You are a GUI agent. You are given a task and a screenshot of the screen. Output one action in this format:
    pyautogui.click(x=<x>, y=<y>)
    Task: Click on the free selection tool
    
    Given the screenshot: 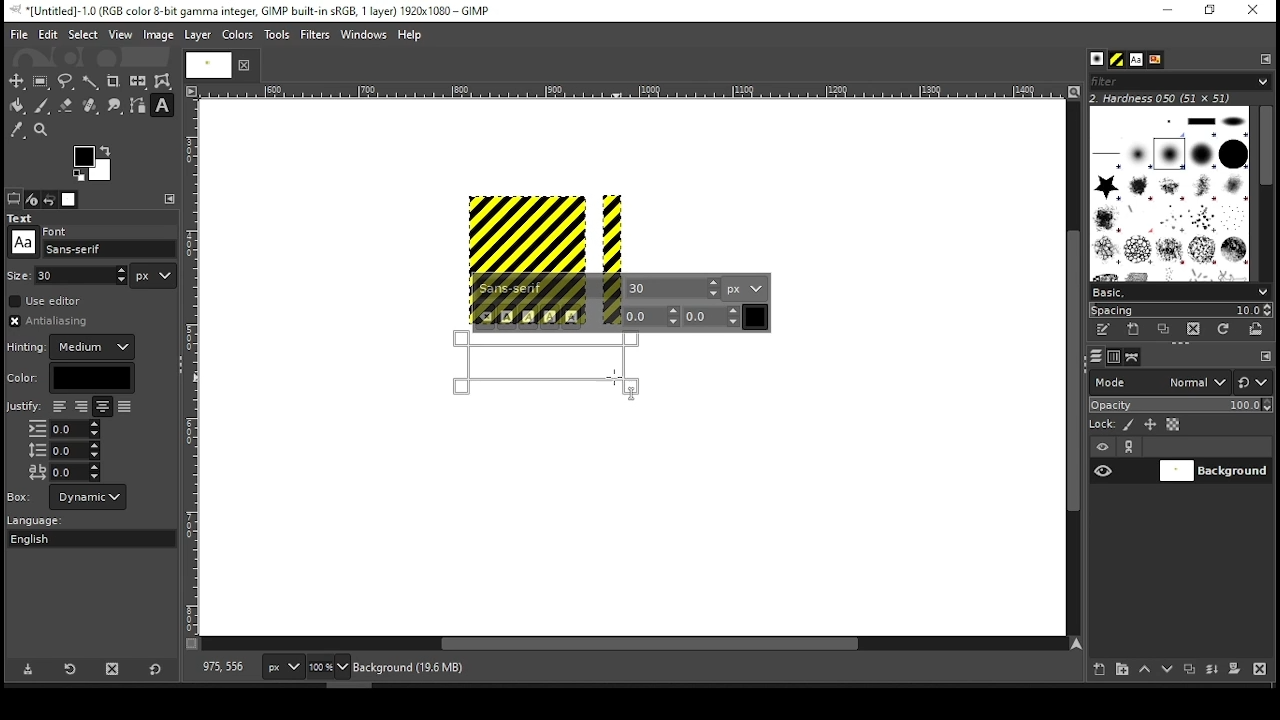 What is the action you would take?
    pyautogui.click(x=68, y=82)
    